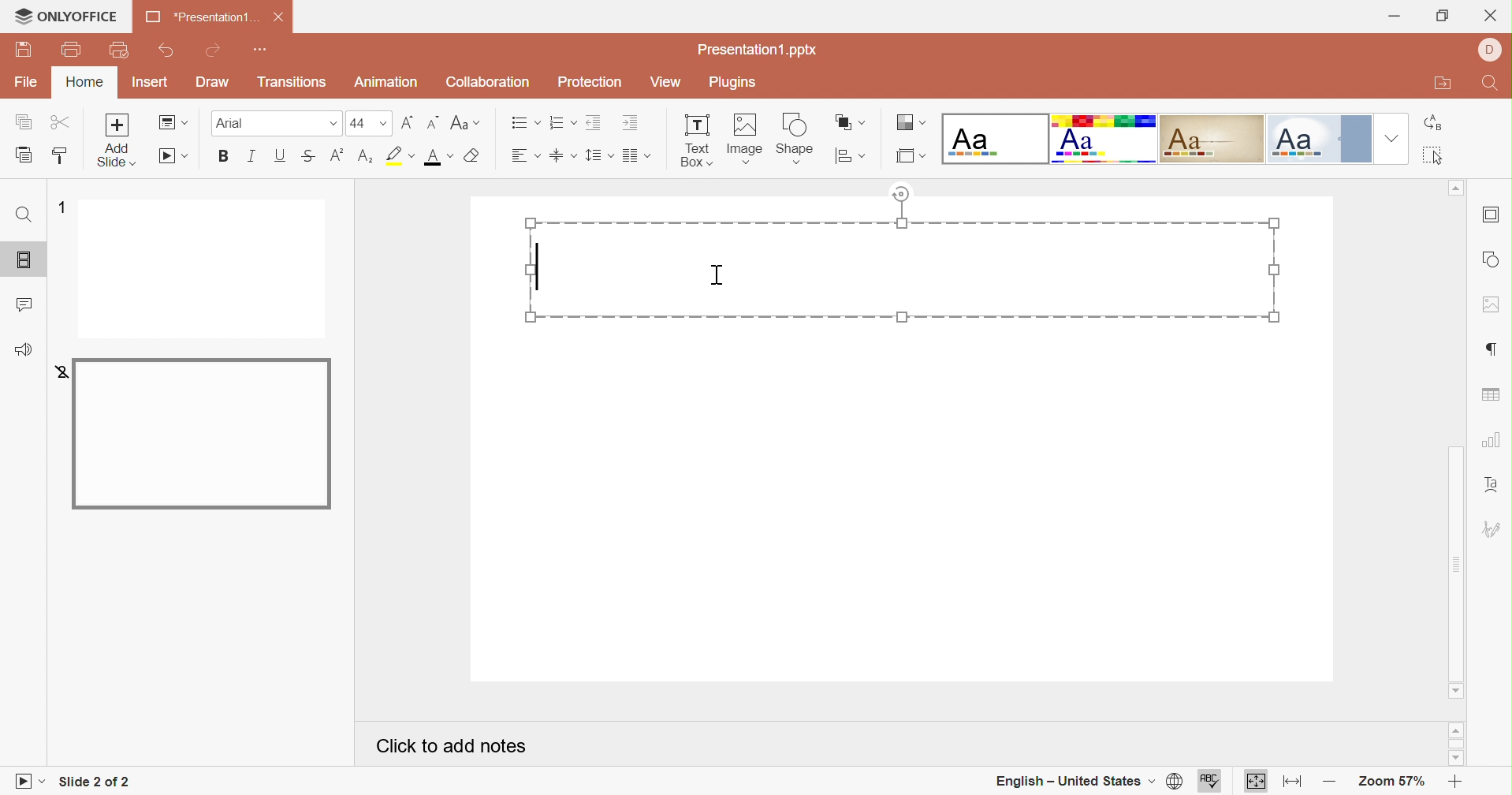 This screenshot has width=1512, height=795. What do you see at coordinates (307, 156) in the screenshot?
I see `Strikethrough` at bounding box center [307, 156].